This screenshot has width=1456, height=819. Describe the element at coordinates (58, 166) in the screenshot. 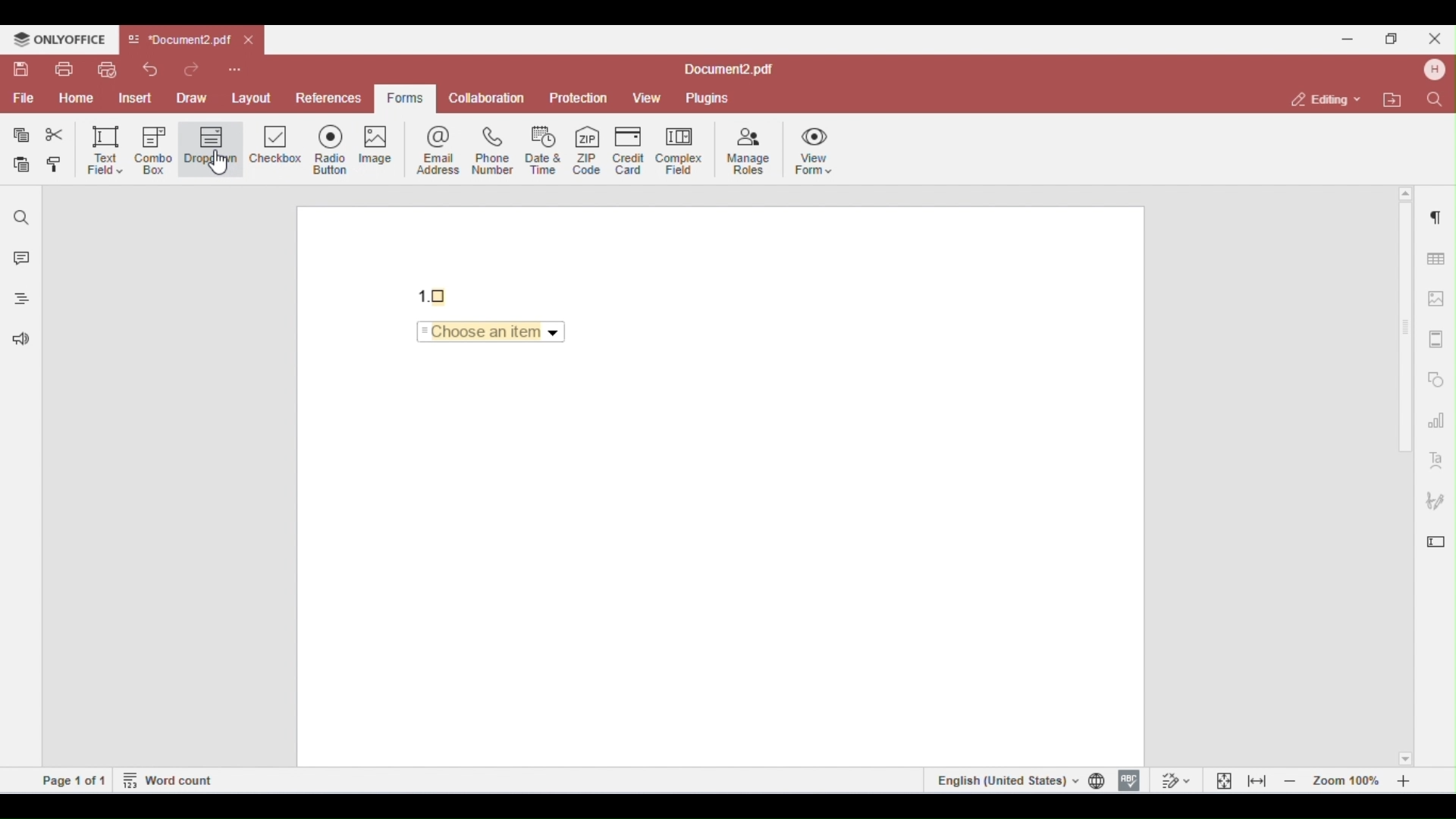

I see `copy style` at that location.